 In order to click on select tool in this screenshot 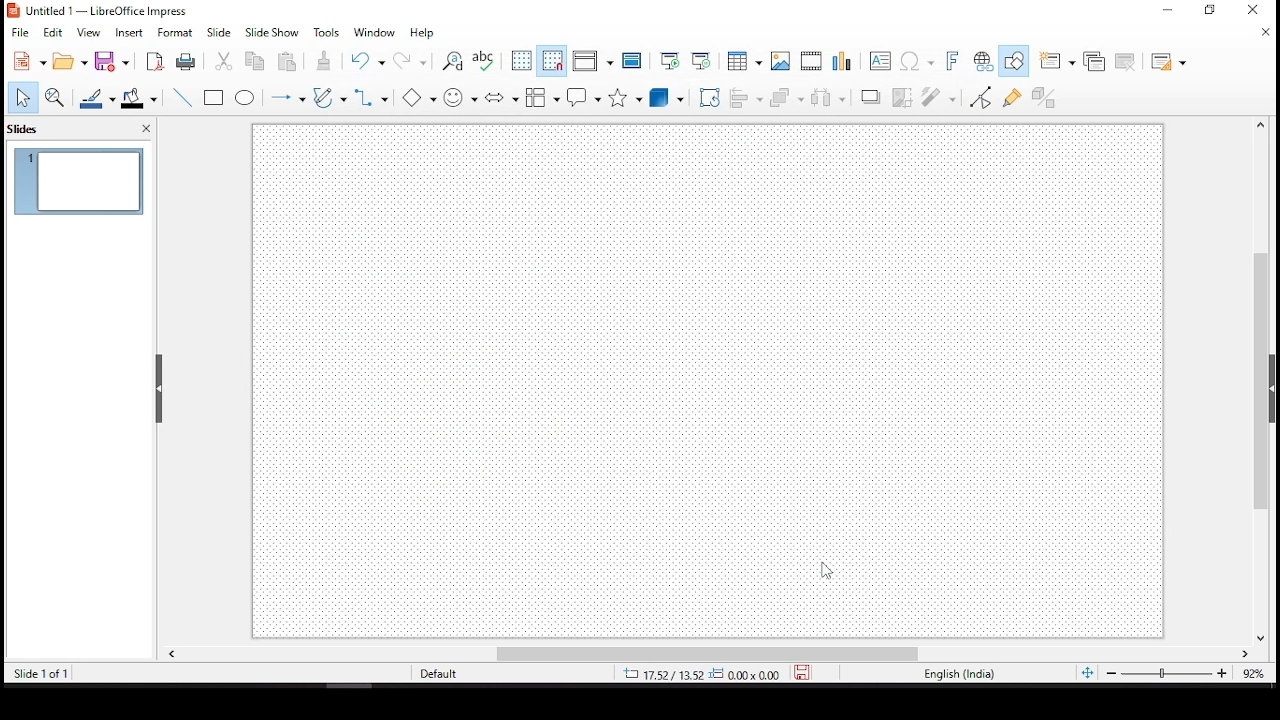, I will do `click(22, 98)`.